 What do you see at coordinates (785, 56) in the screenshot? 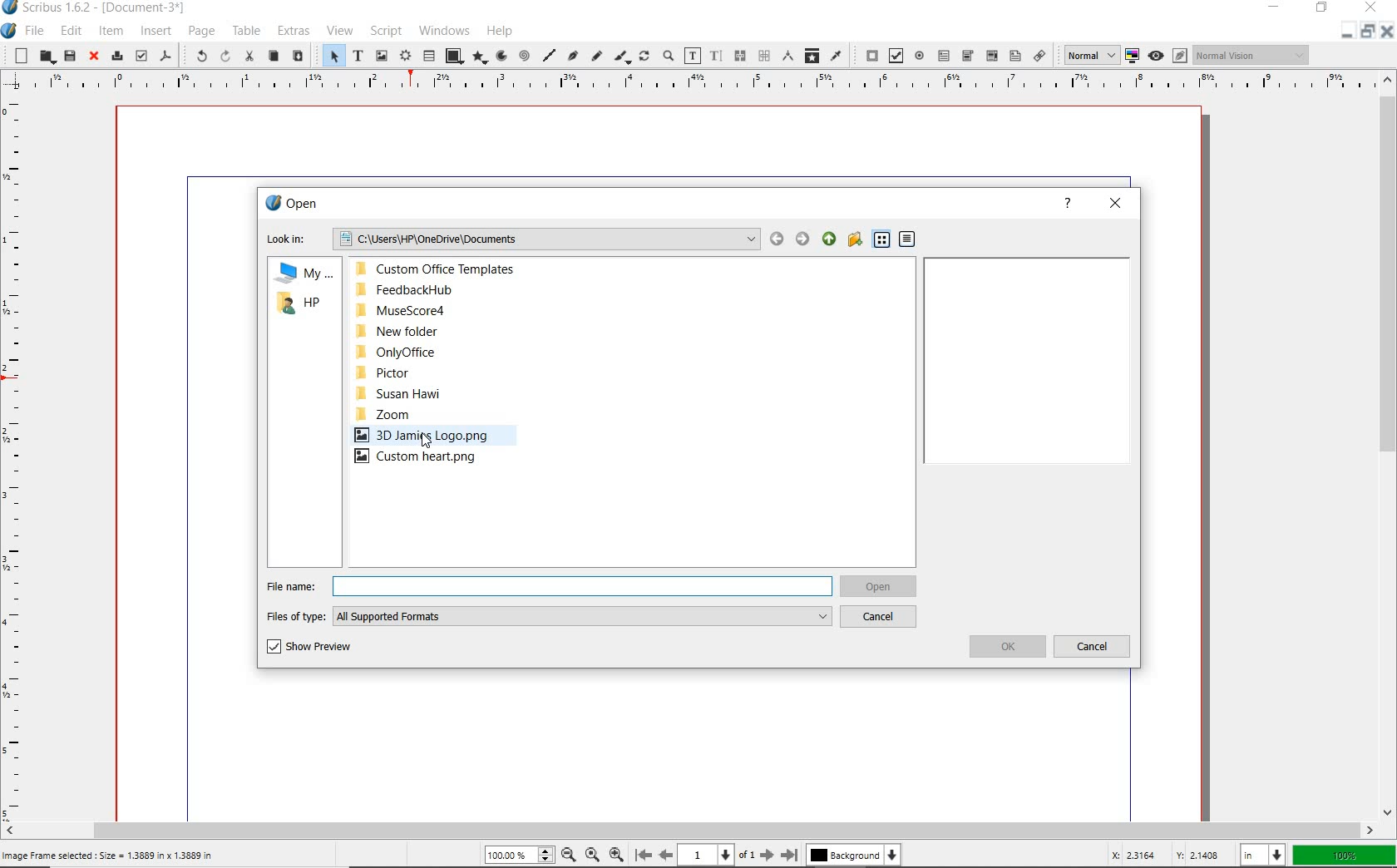
I see `measurements` at bounding box center [785, 56].